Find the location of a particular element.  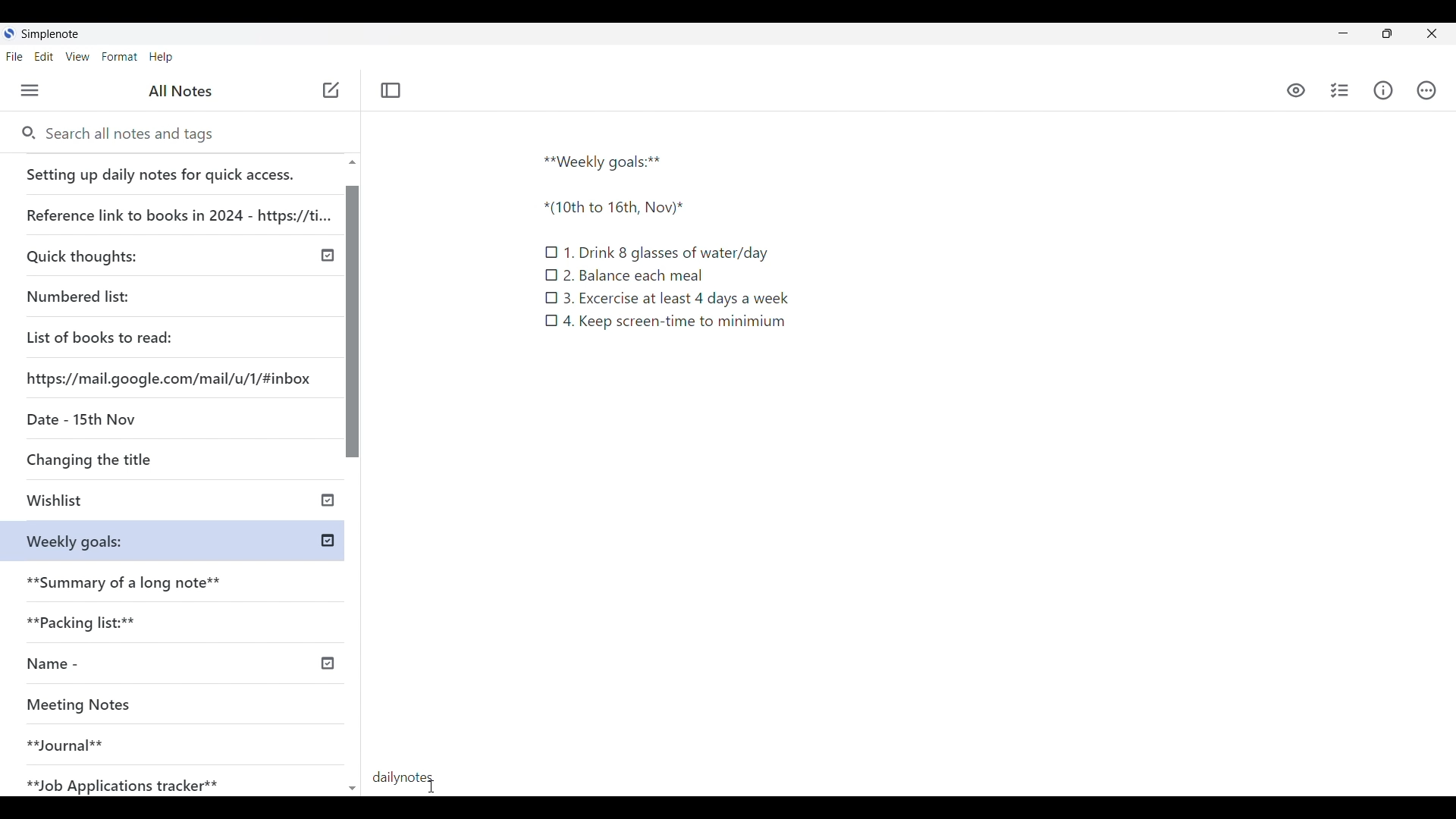

Toggle focus mode is located at coordinates (391, 91).